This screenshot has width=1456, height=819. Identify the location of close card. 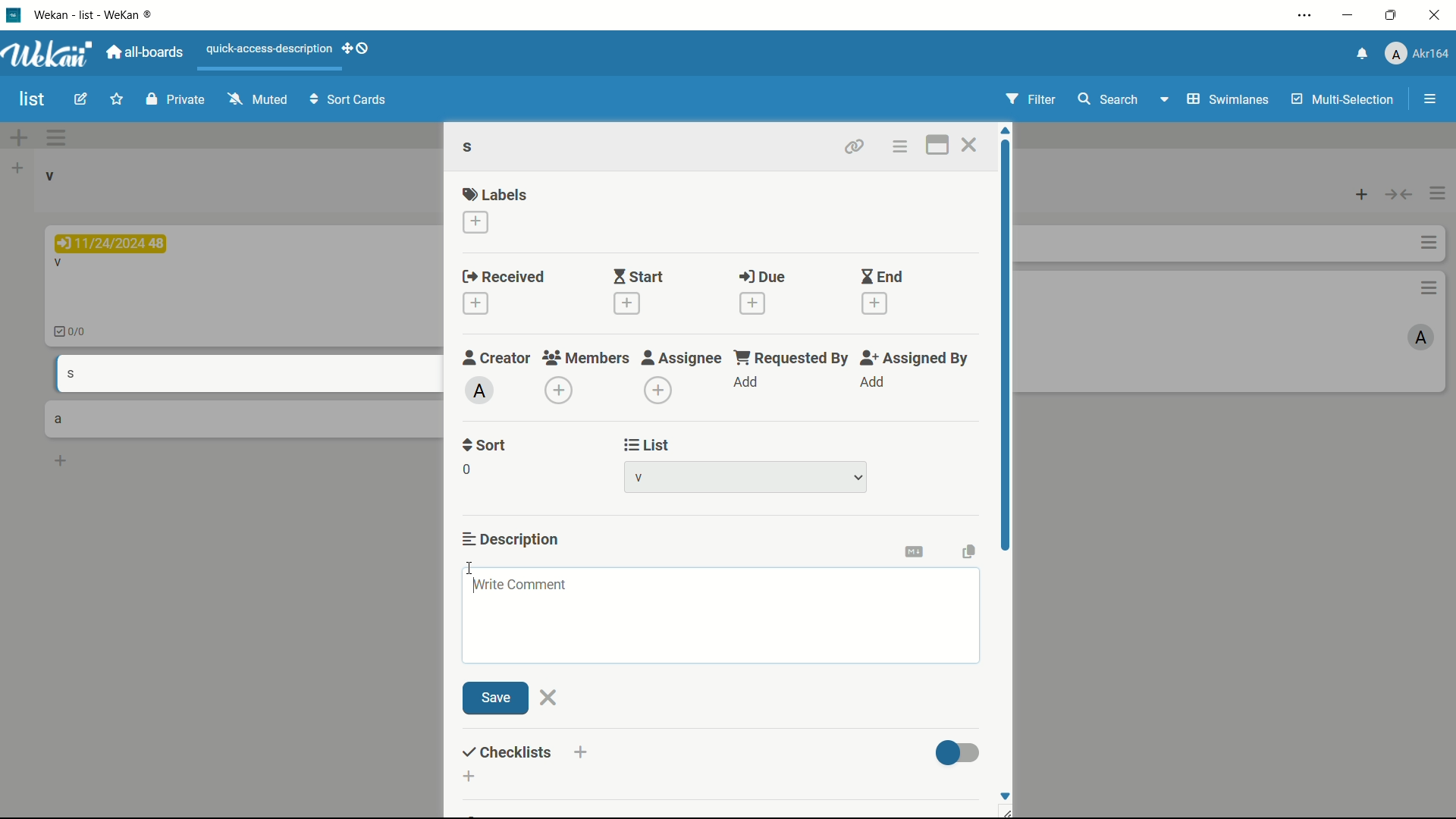
(968, 144).